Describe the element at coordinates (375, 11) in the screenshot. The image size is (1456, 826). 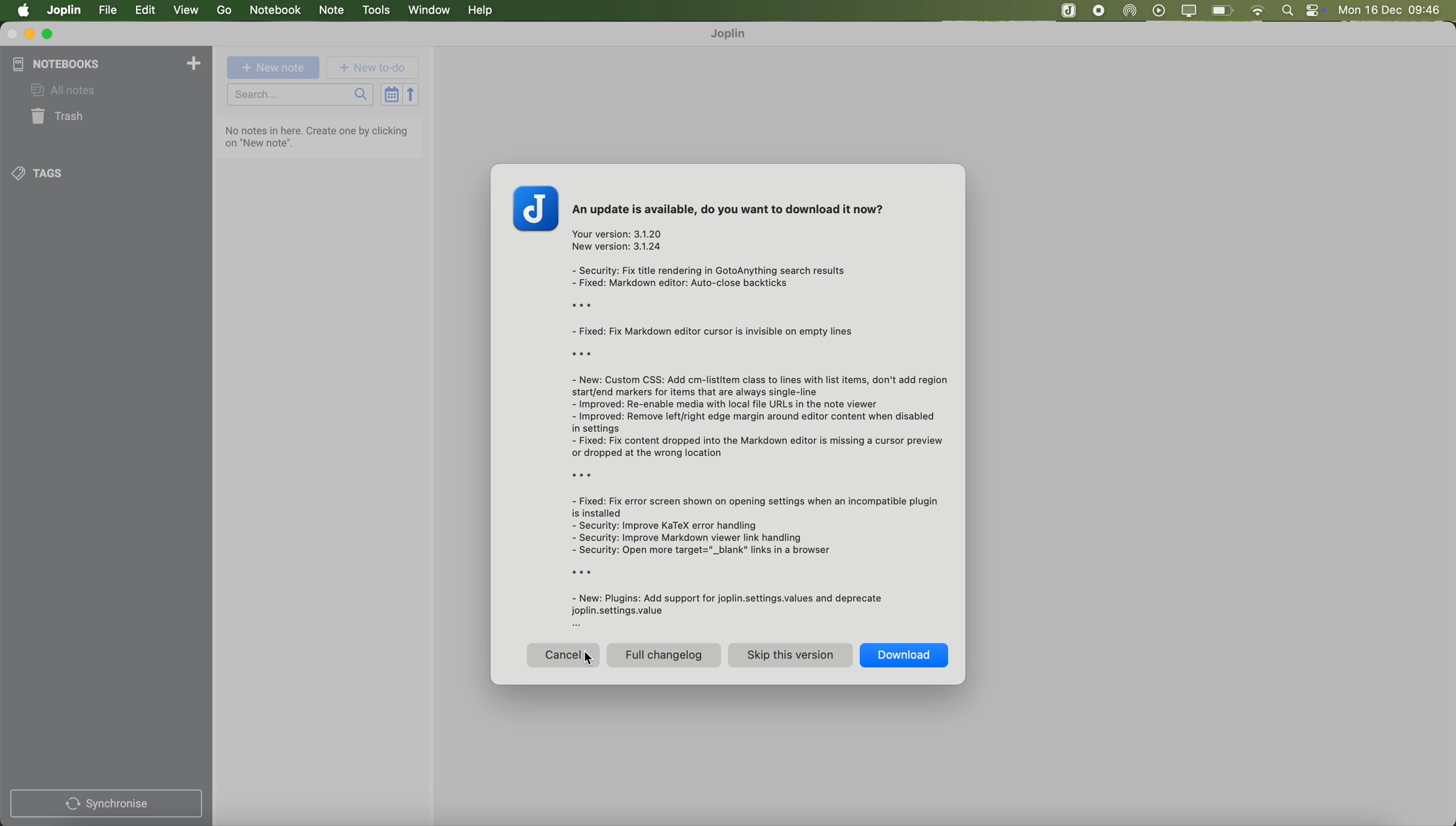
I see `tools` at that location.